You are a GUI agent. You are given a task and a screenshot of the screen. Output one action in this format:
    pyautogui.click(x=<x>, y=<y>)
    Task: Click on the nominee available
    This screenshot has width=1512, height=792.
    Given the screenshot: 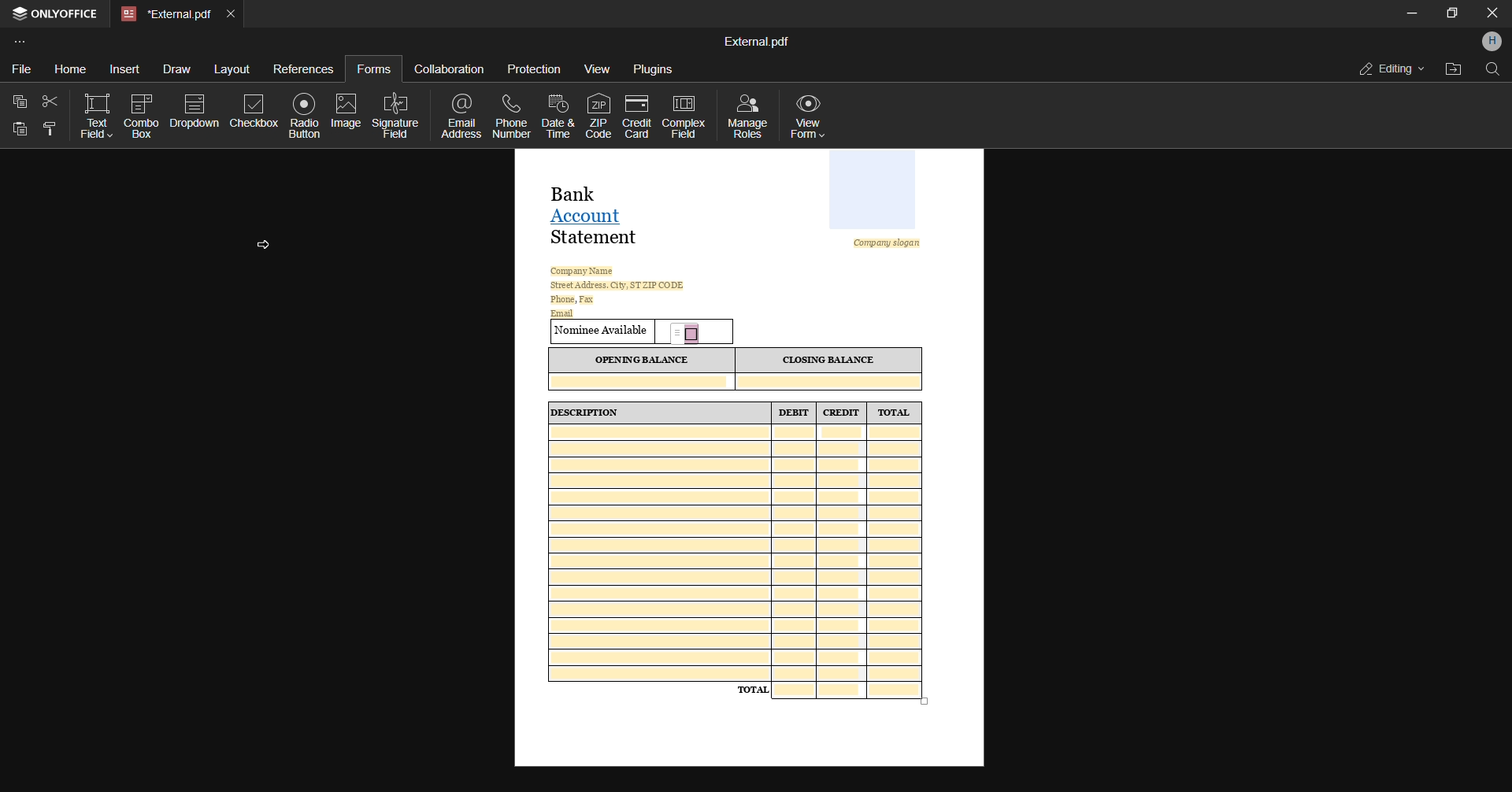 What is the action you would take?
    pyautogui.click(x=602, y=331)
    